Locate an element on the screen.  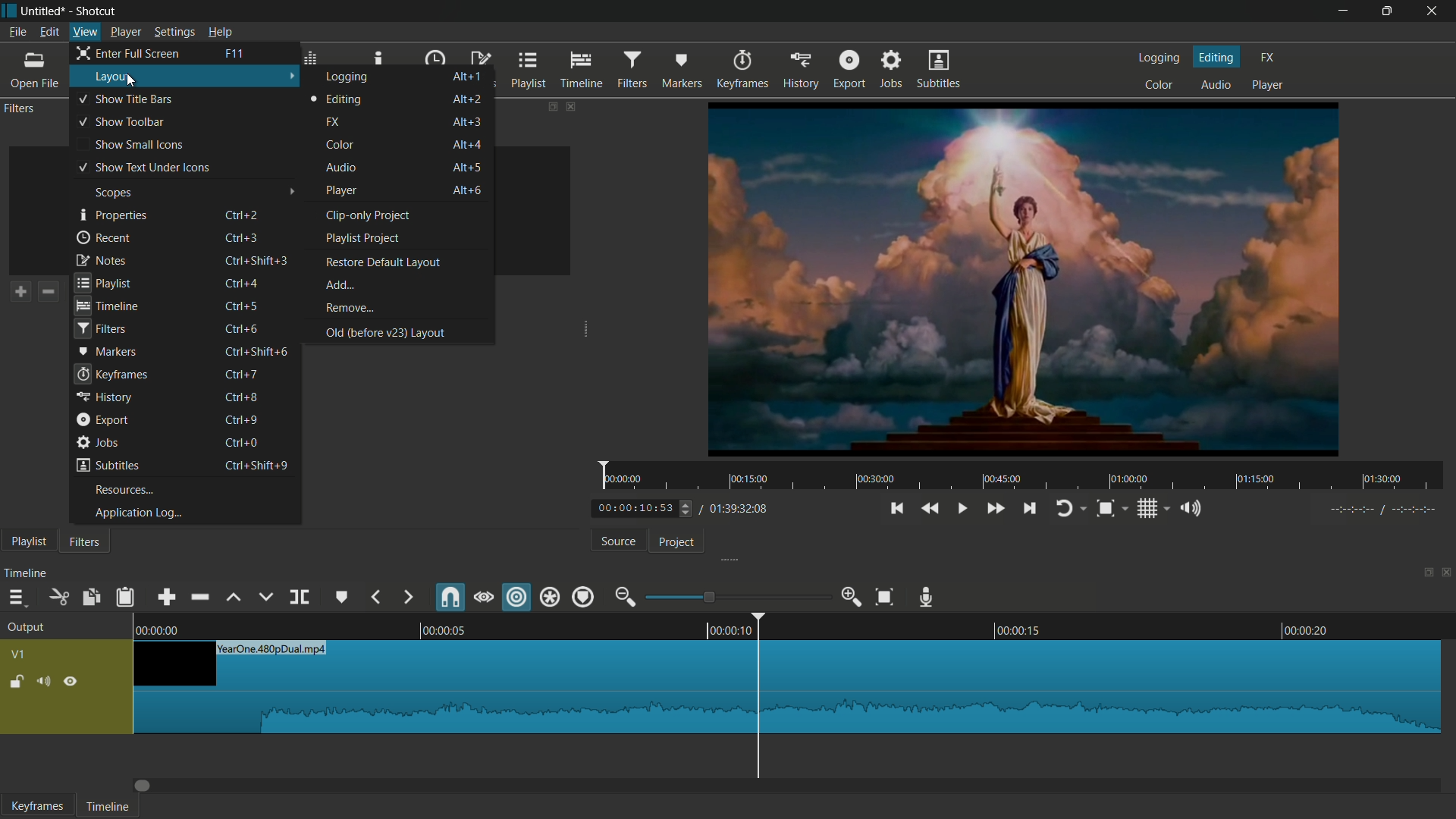
lift is located at coordinates (236, 599).